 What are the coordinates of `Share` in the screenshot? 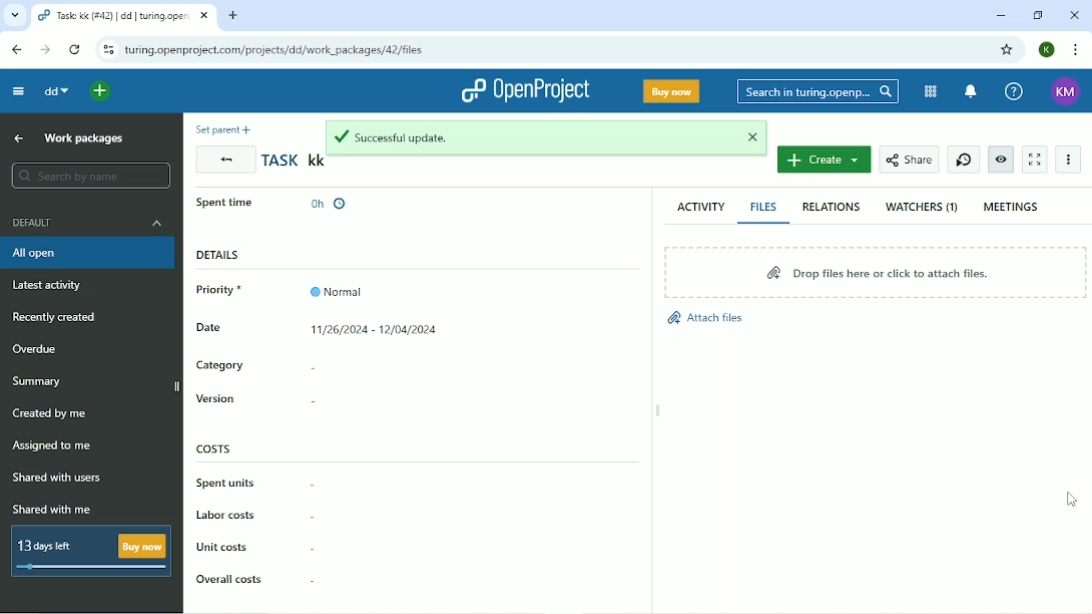 It's located at (907, 160).